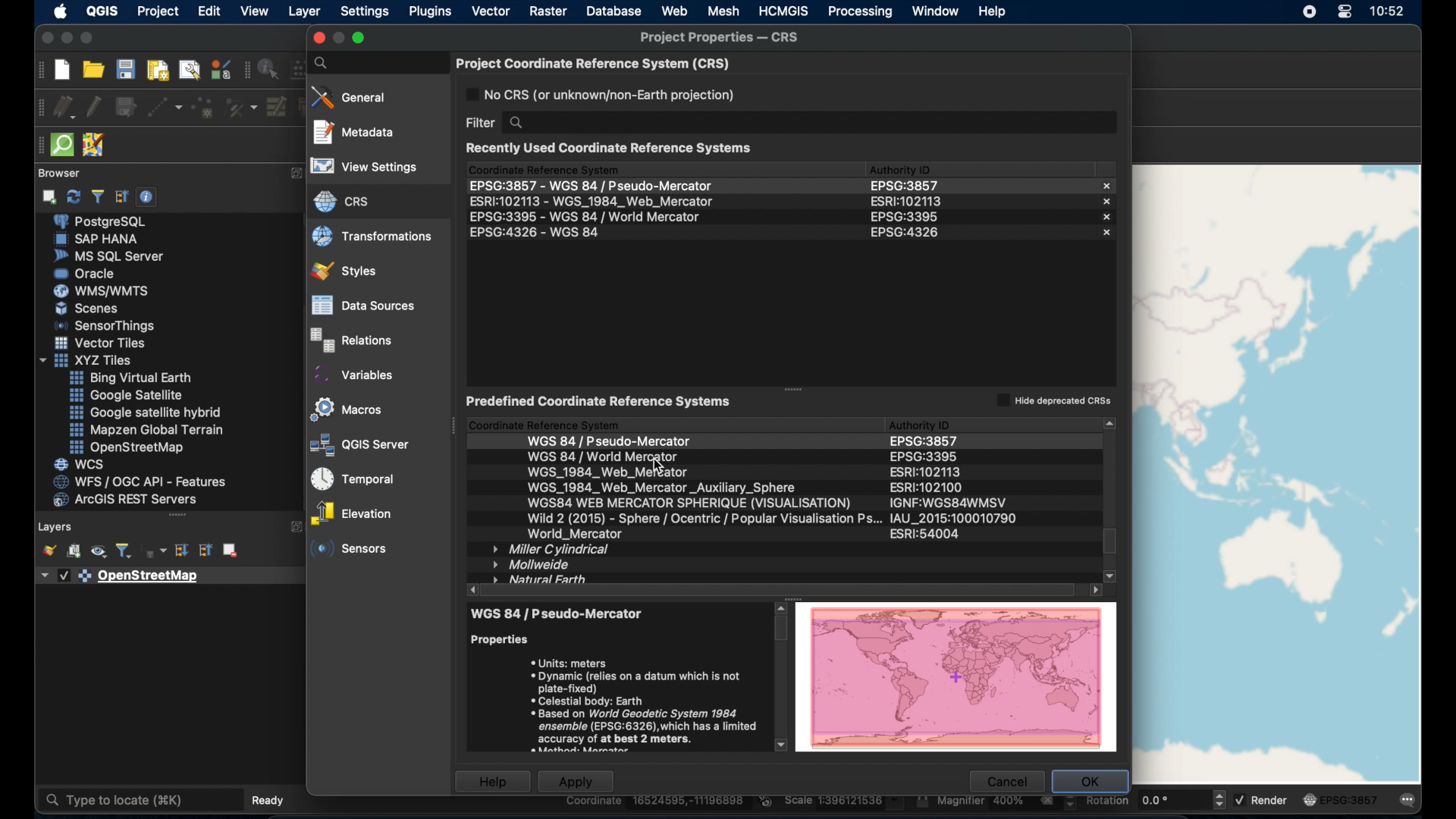 This screenshot has height=819, width=1456. Describe the element at coordinates (553, 548) in the screenshot. I see `miller cylindrical` at that location.